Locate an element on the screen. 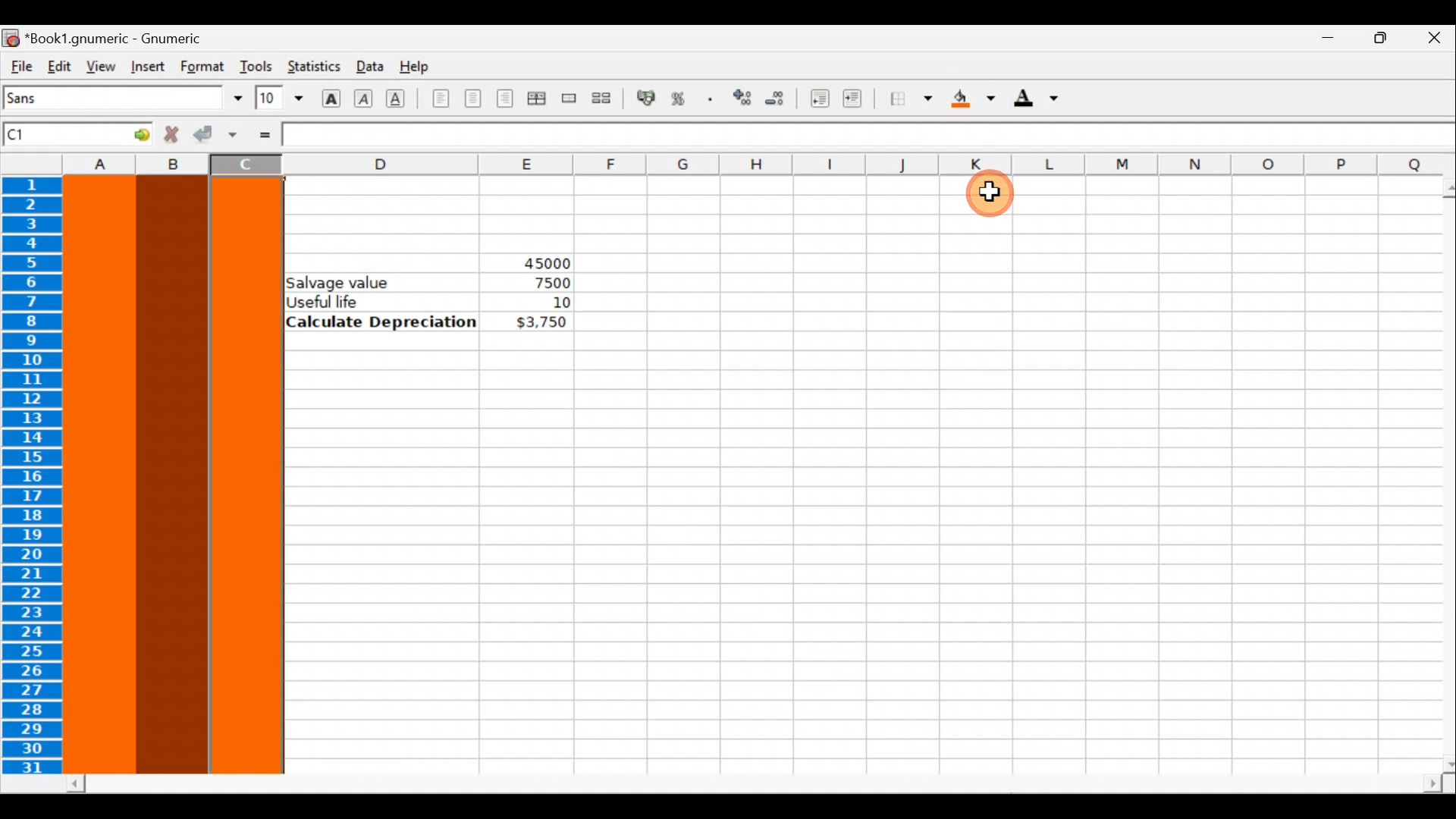 This screenshot has width=1456, height=819. Enter formula is located at coordinates (264, 134).